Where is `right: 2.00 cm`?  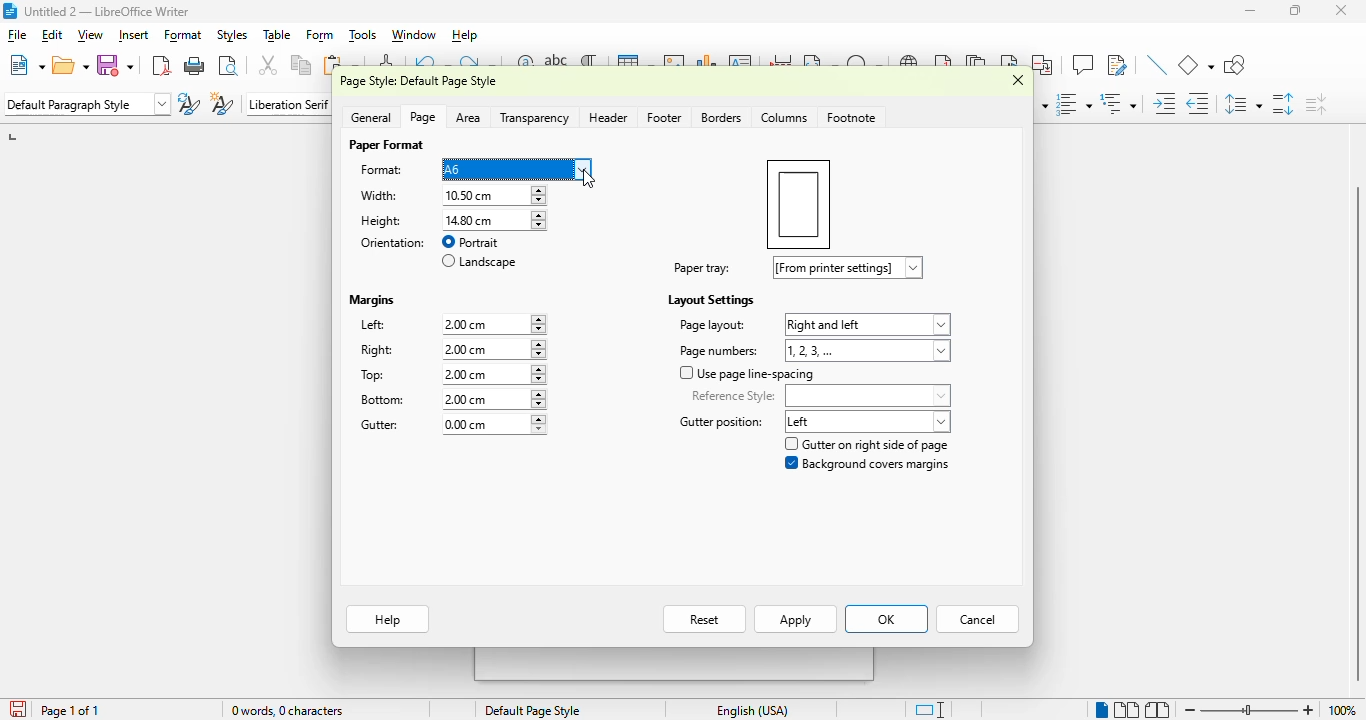 right: 2.00 cm is located at coordinates (449, 350).